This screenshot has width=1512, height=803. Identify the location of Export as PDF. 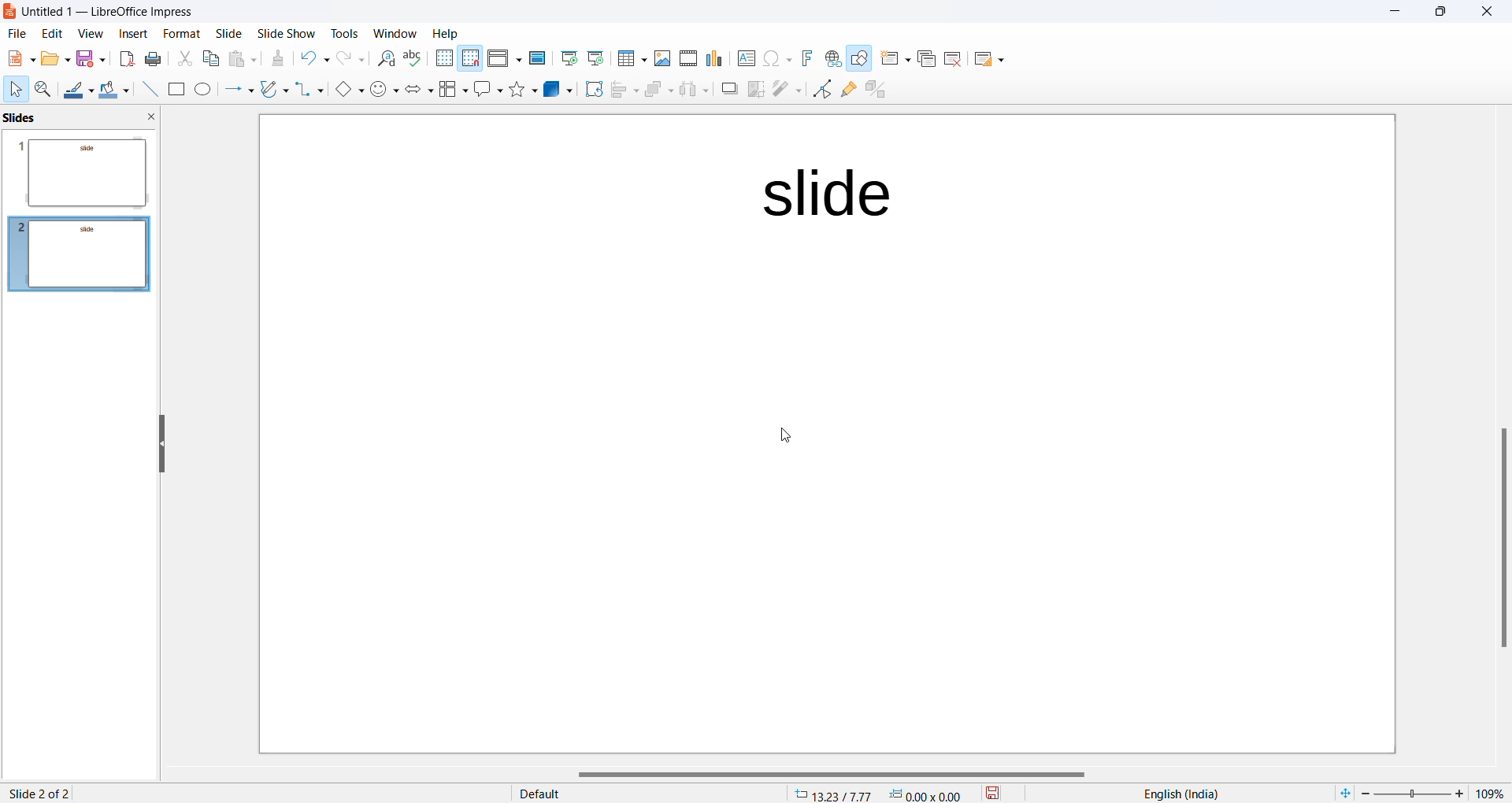
(124, 59).